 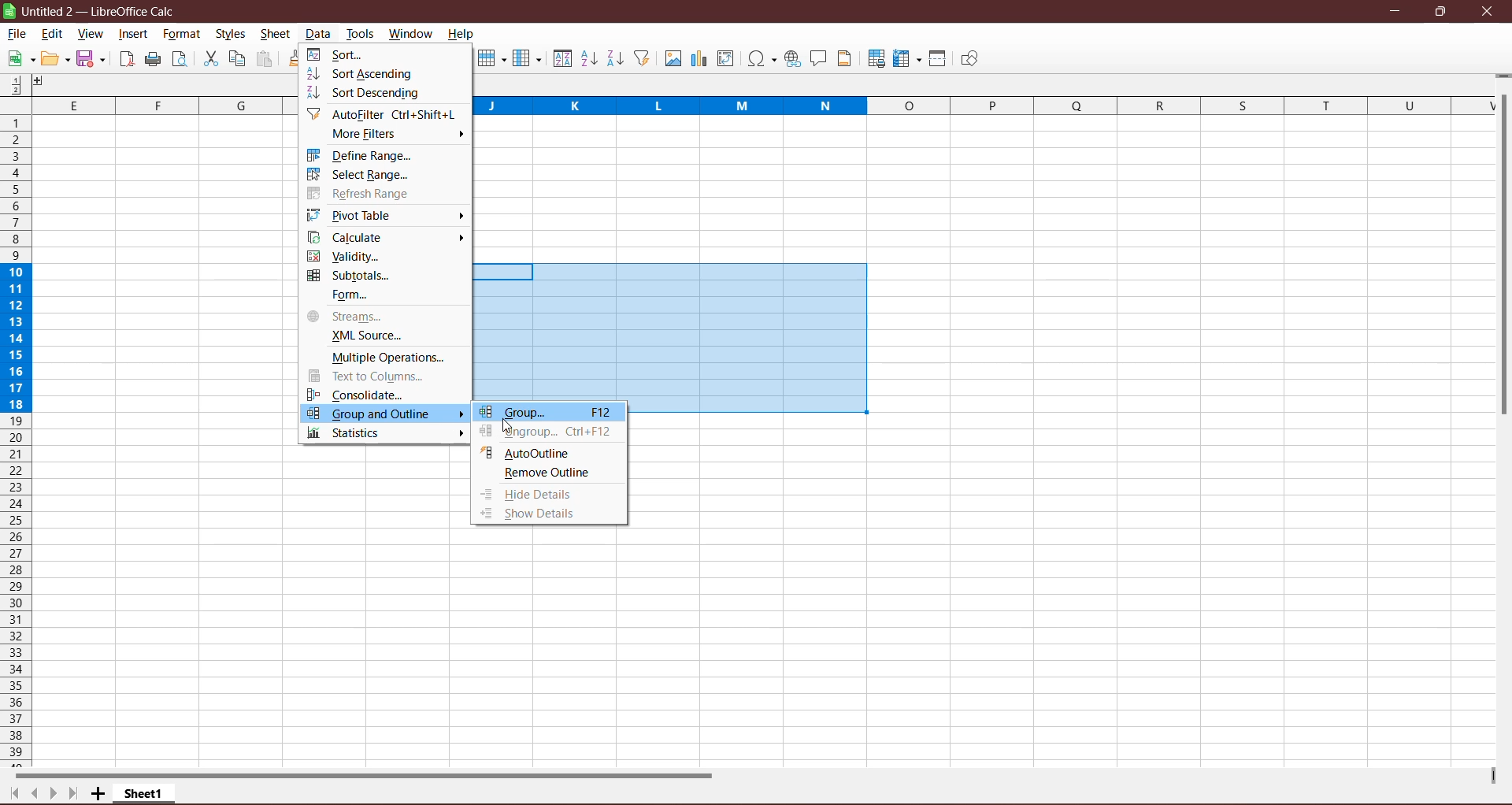 I want to click on Insert Image, so click(x=672, y=59).